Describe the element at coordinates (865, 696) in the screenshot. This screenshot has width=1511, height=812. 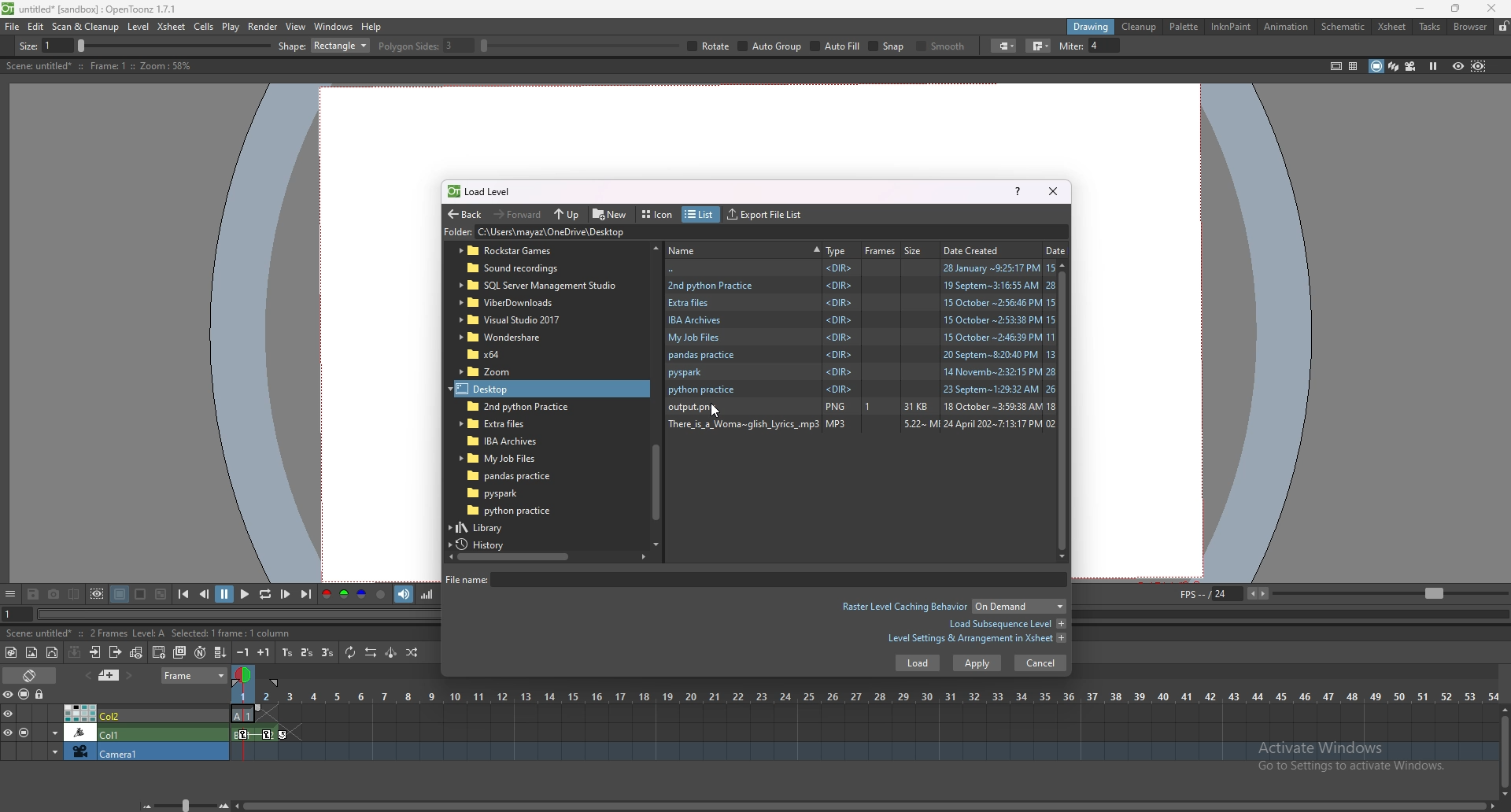
I see `time scale` at that location.